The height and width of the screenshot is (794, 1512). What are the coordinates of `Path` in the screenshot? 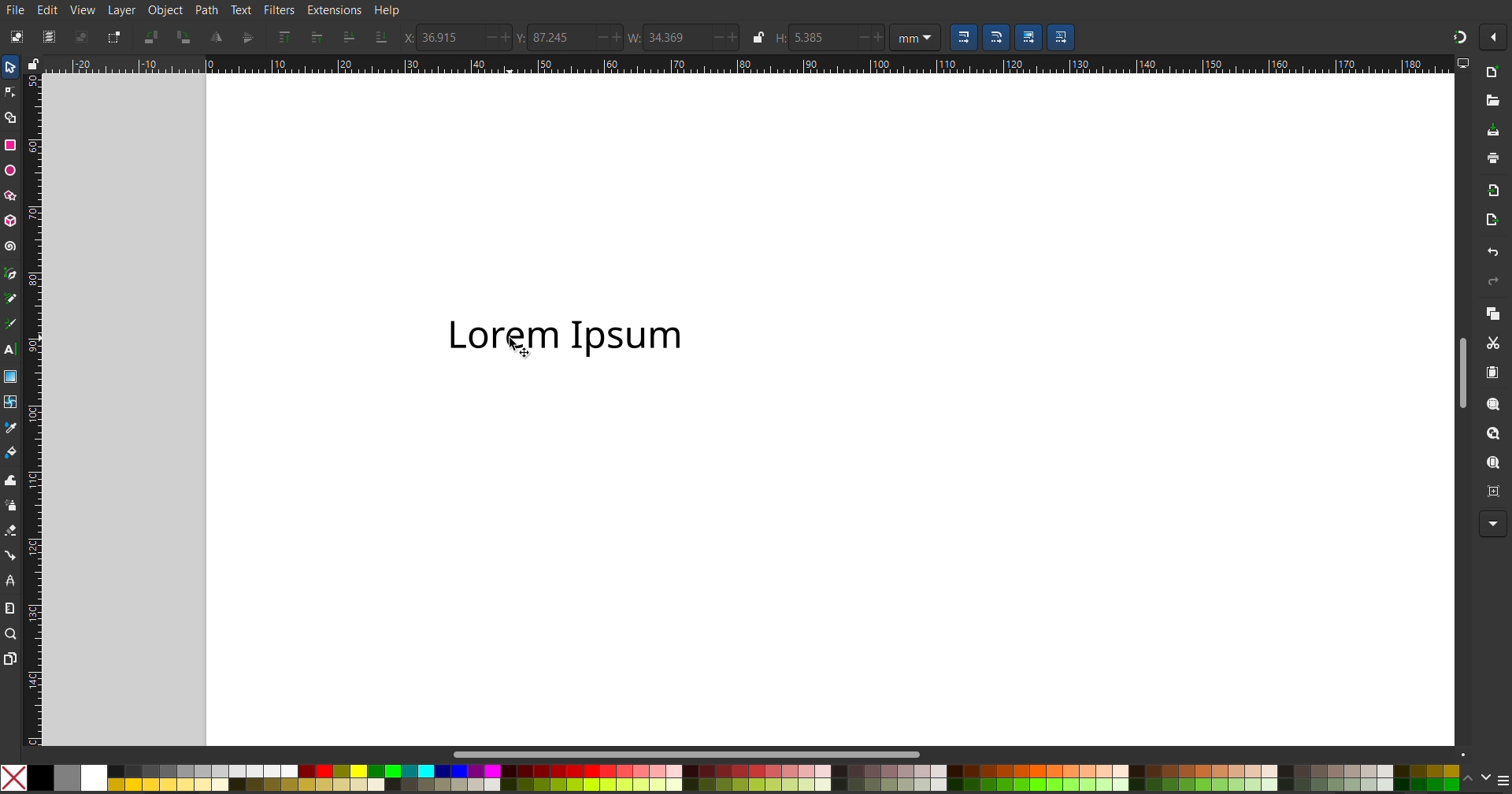 It's located at (206, 11).